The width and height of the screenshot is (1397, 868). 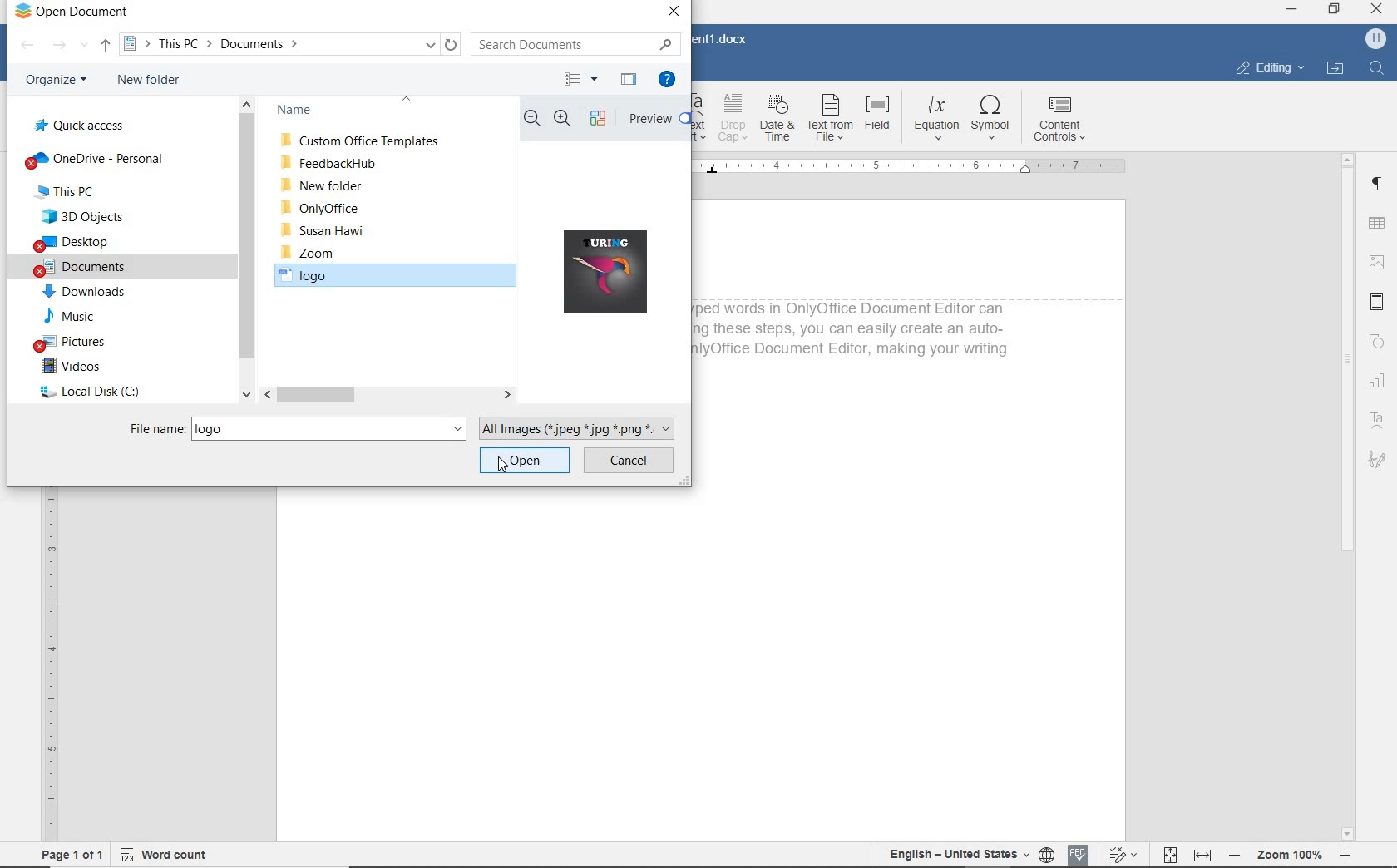 What do you see at coordinates (76, 243) in the screenshot?
I see `DESKTOP` at bounding box center [76, 243].